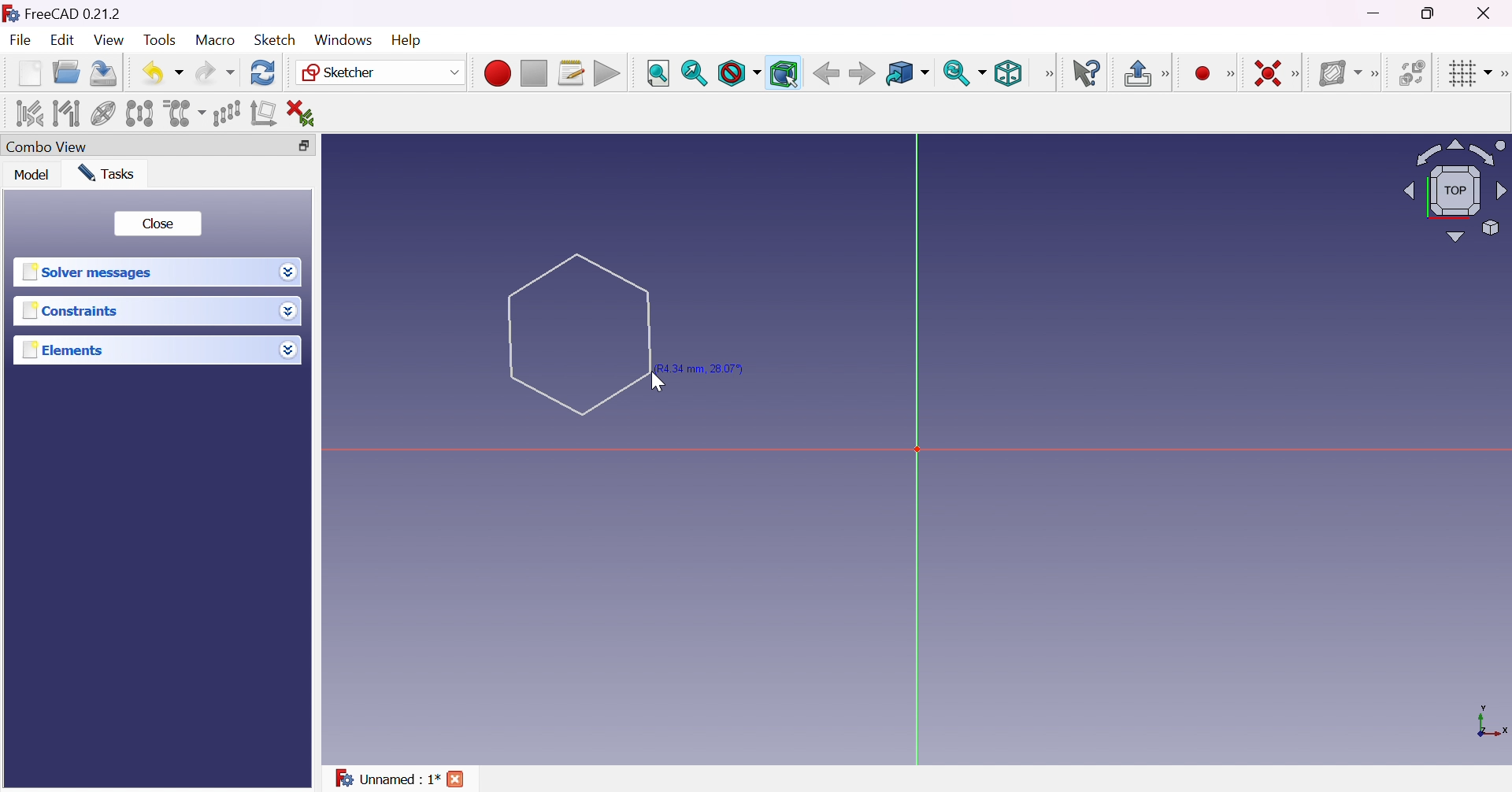  Describe the element at coordinates (1167, 75) in the screenshot. I see `[Sketcher edit model]` at that location.